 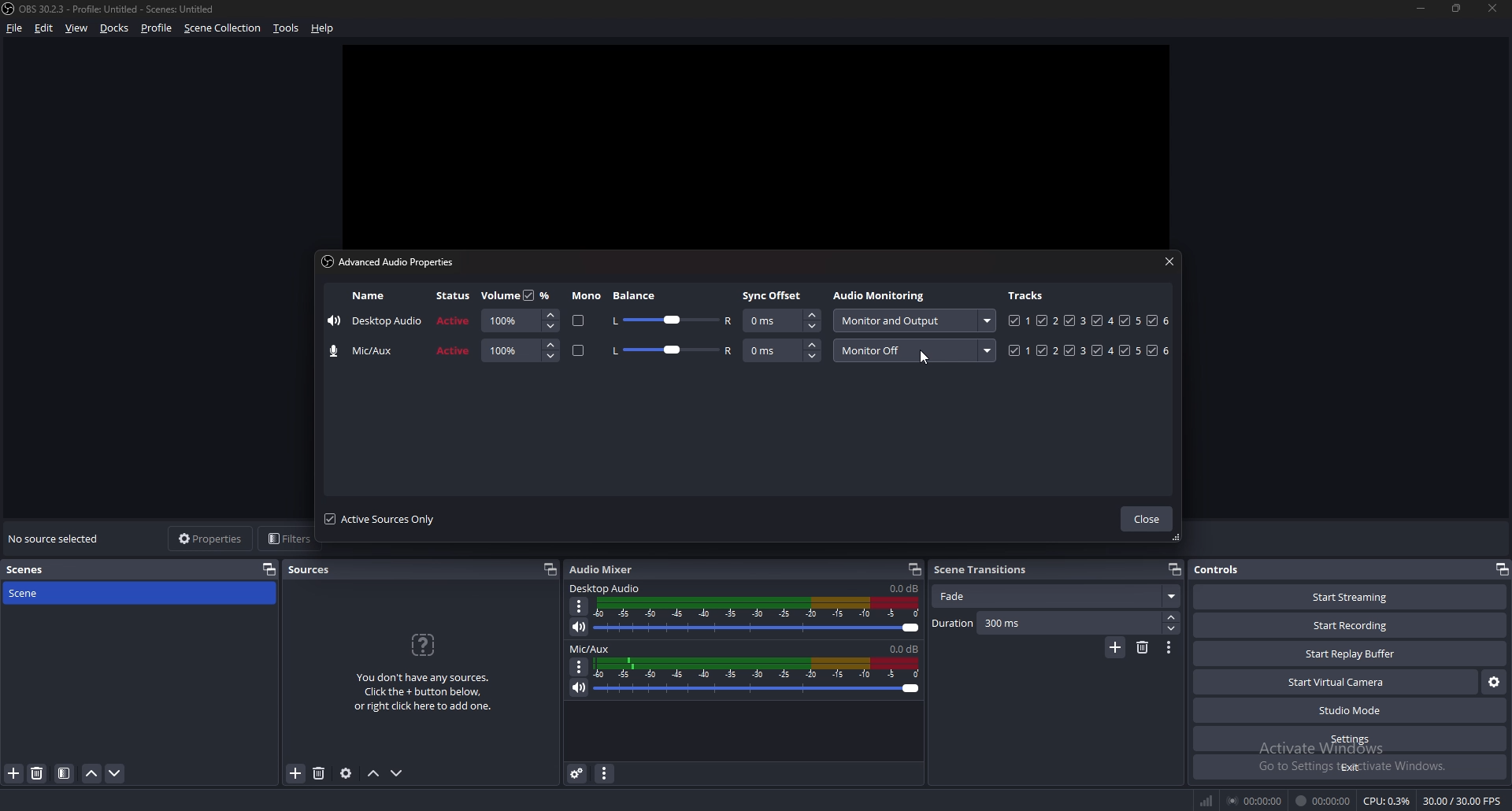 What do you see at coordinates (579, 774) in the screenshot?
I see `advanced audio properties` at bounding box center [579, 774].